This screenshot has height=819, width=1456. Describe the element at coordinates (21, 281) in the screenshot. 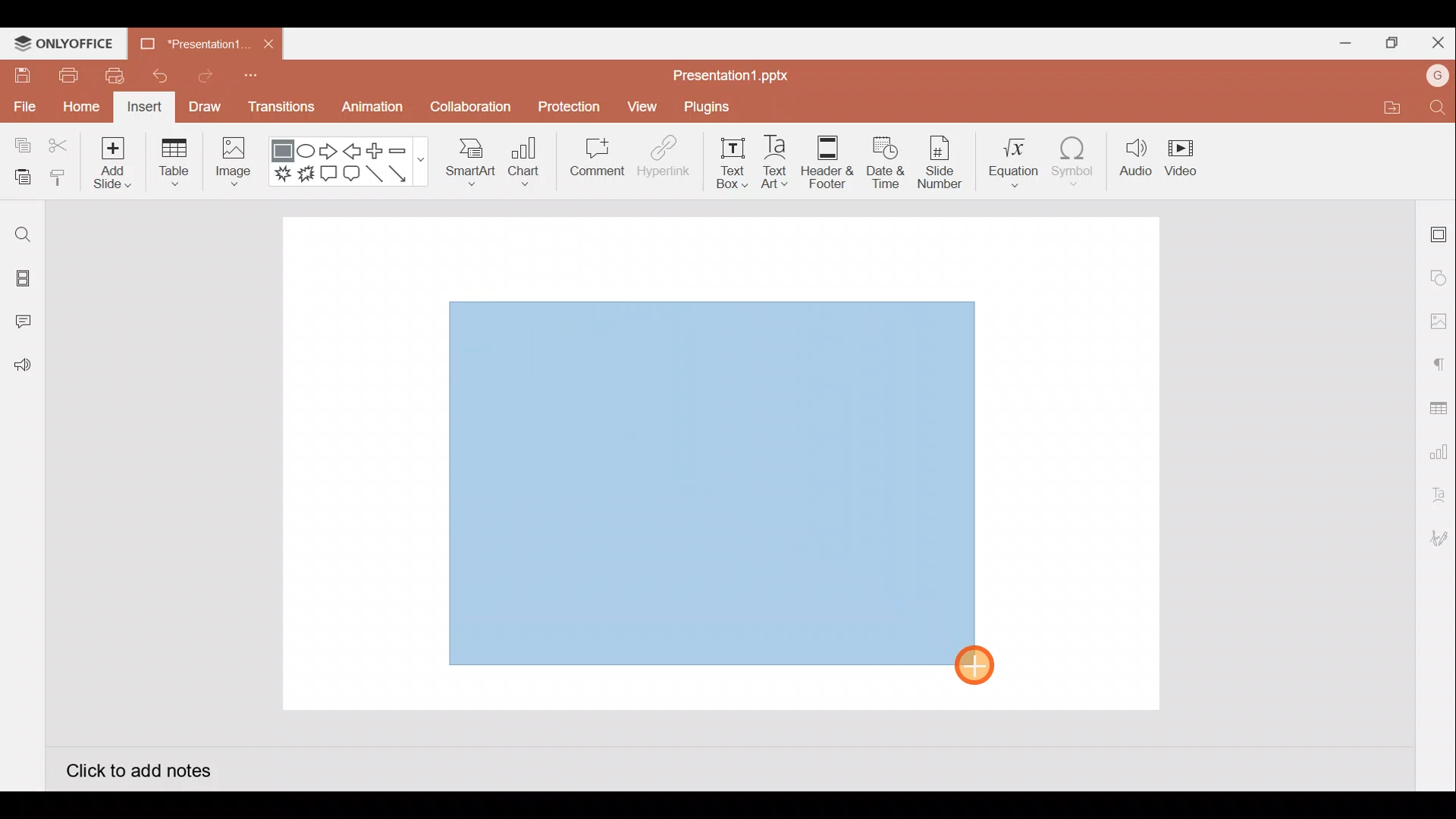

I see `Slides` at that location.